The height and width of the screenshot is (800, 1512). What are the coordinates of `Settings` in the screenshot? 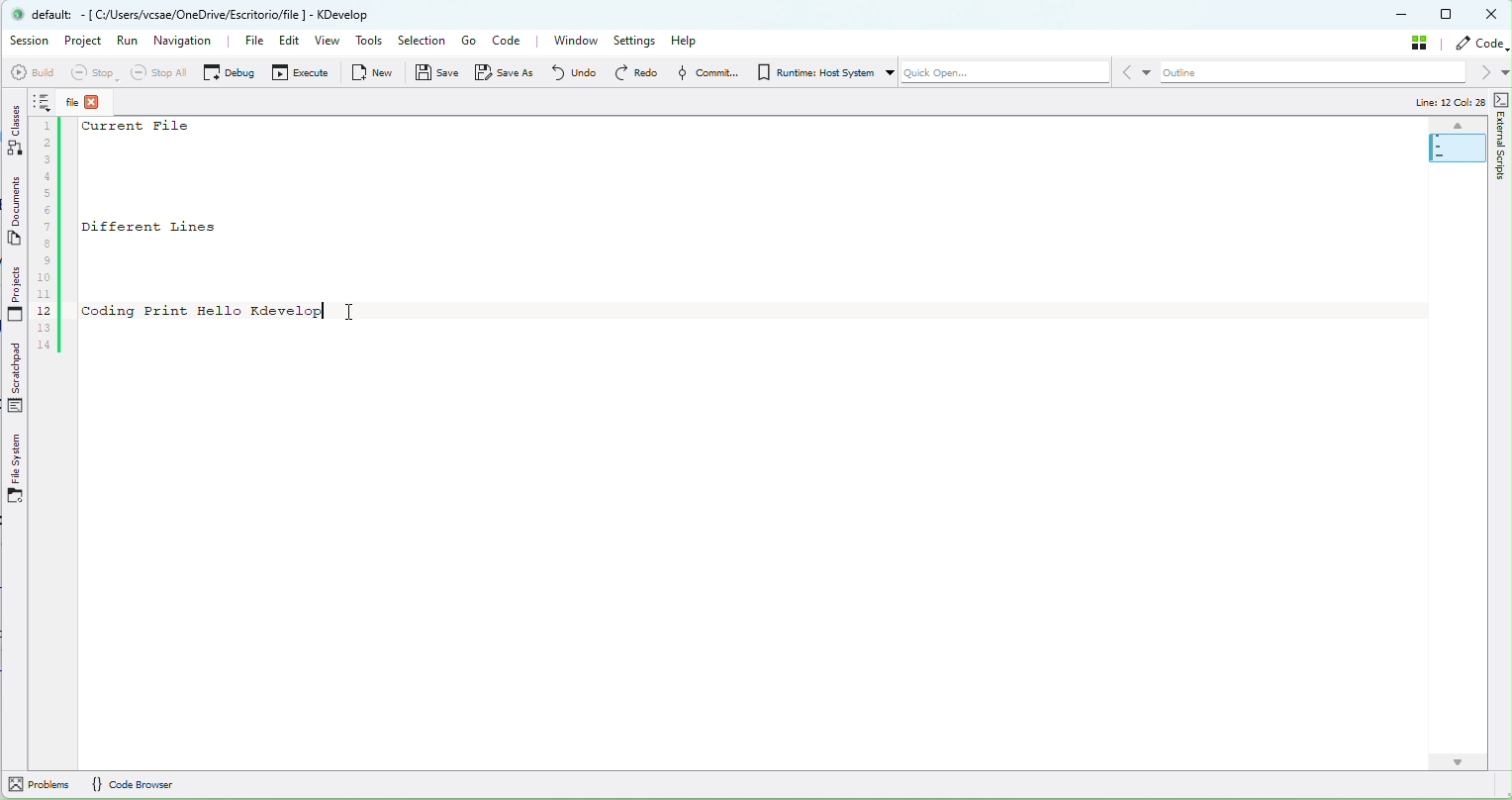 It's located at (637, 41).